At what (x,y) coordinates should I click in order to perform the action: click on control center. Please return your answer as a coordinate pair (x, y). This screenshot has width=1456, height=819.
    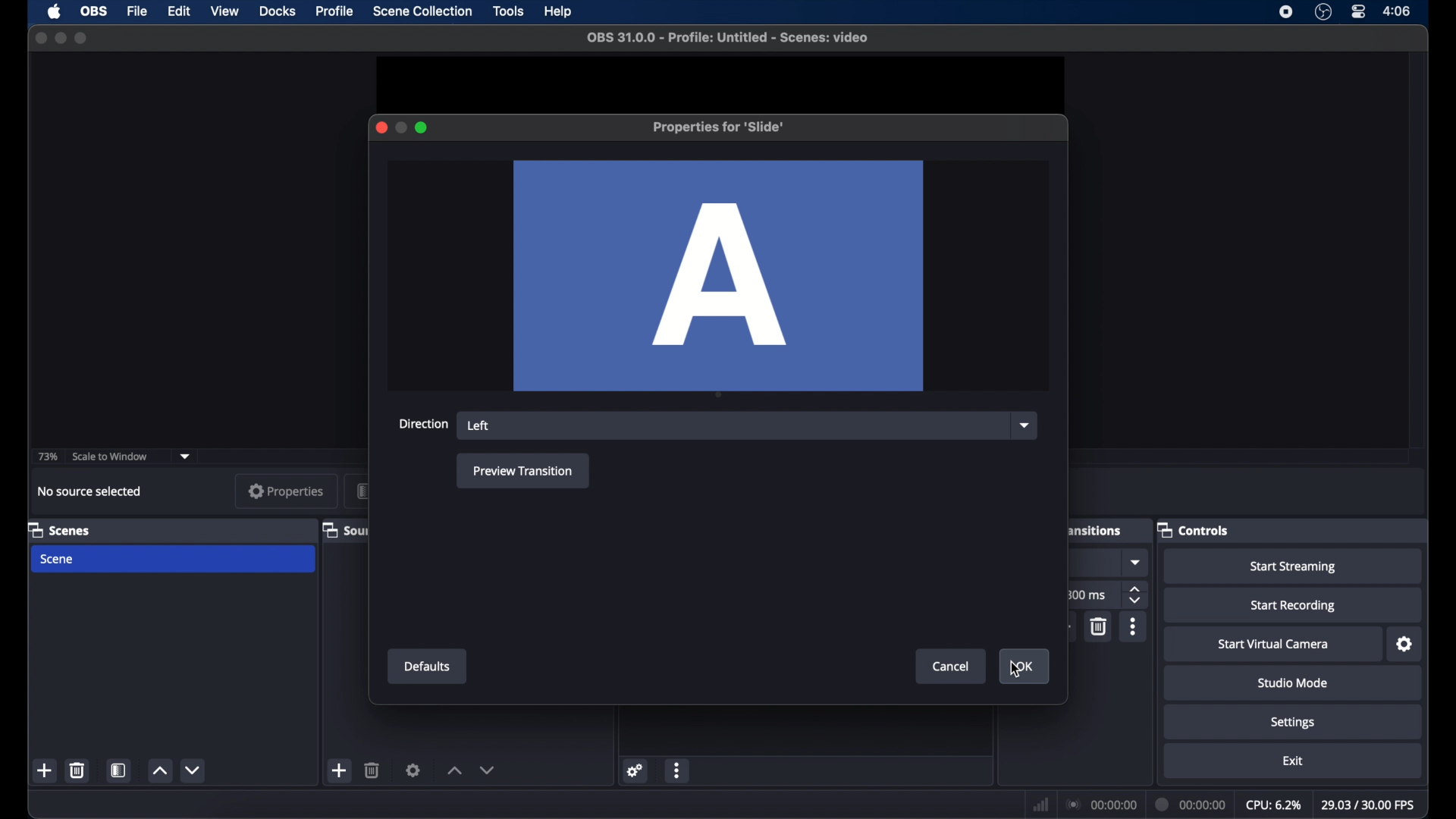
    Looking at the image, I should click on (1359, 12).